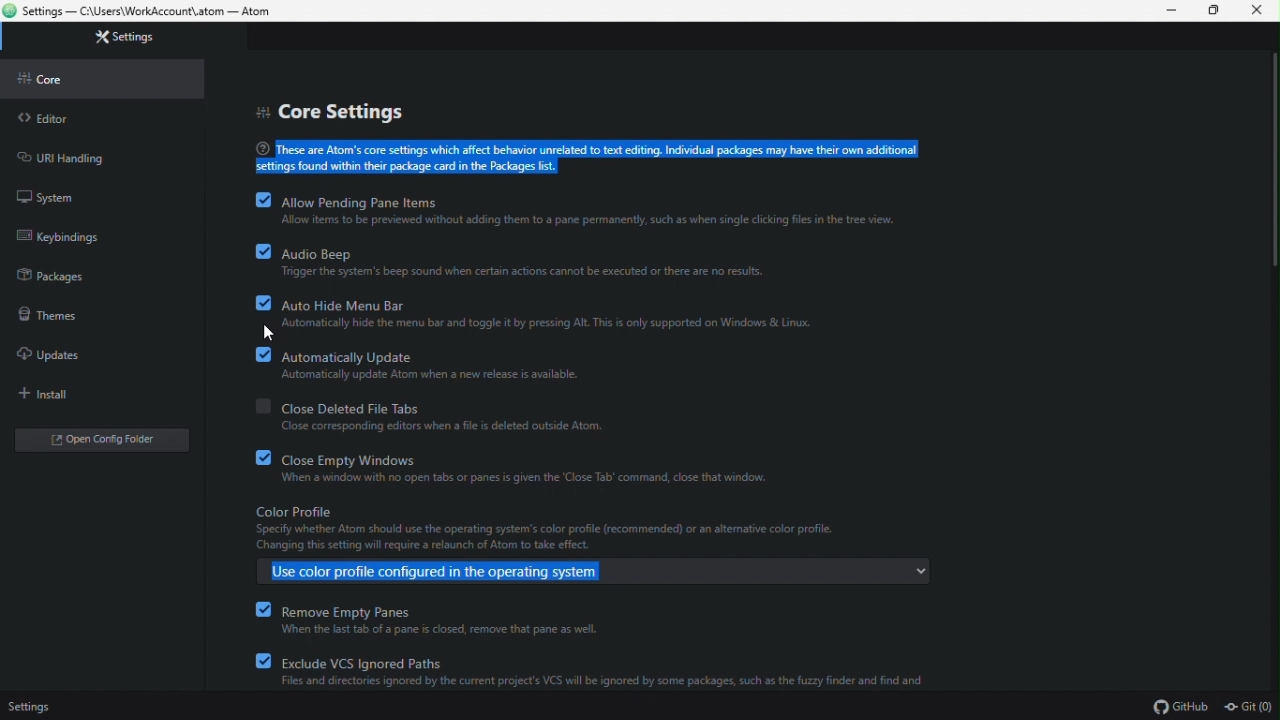 The height and width of the screenshot is (720, 1280). Describe the element at coordinates (252, 359) in the screenshot. I see `checkbox` at that location.